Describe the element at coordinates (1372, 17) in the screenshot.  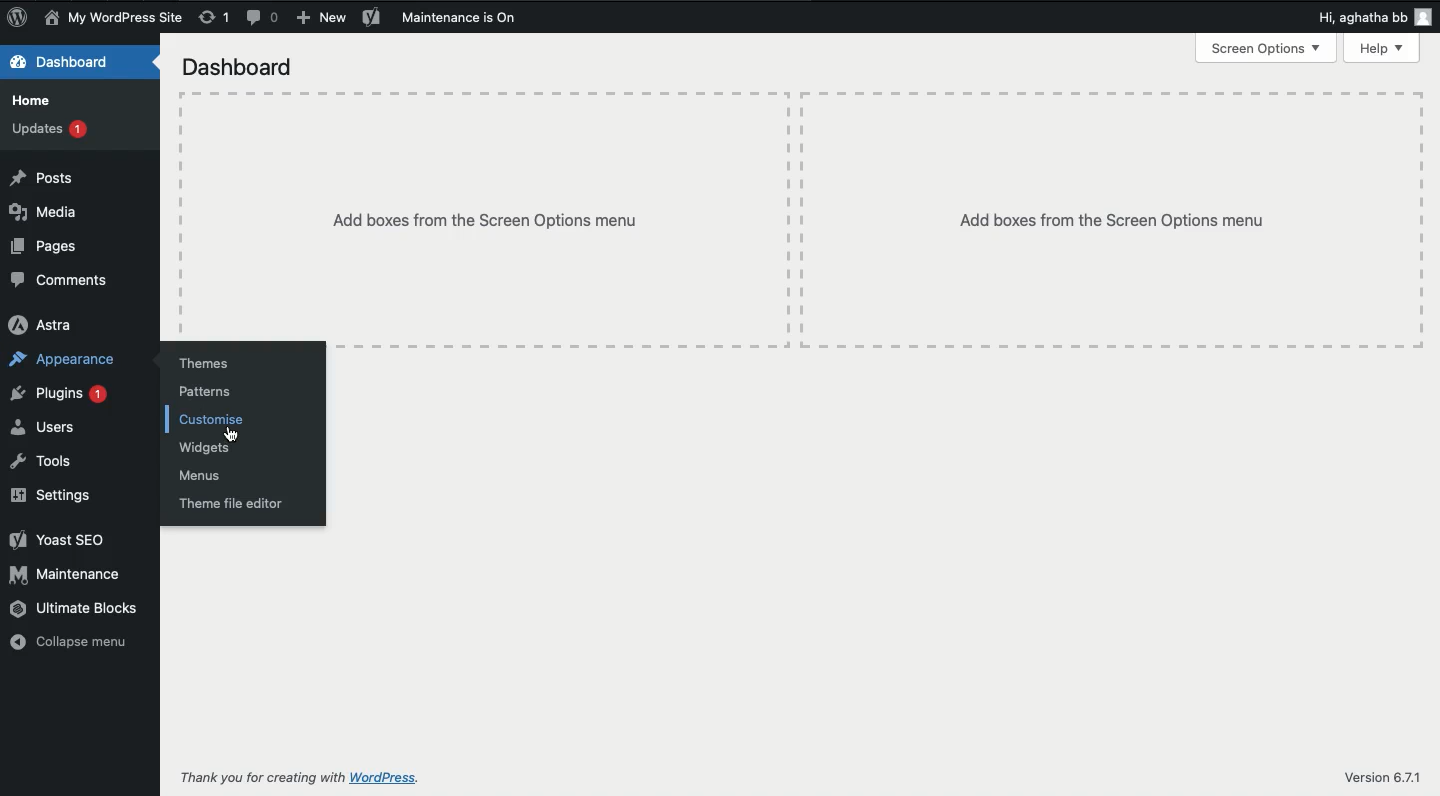
I see `Hi user` at that location.